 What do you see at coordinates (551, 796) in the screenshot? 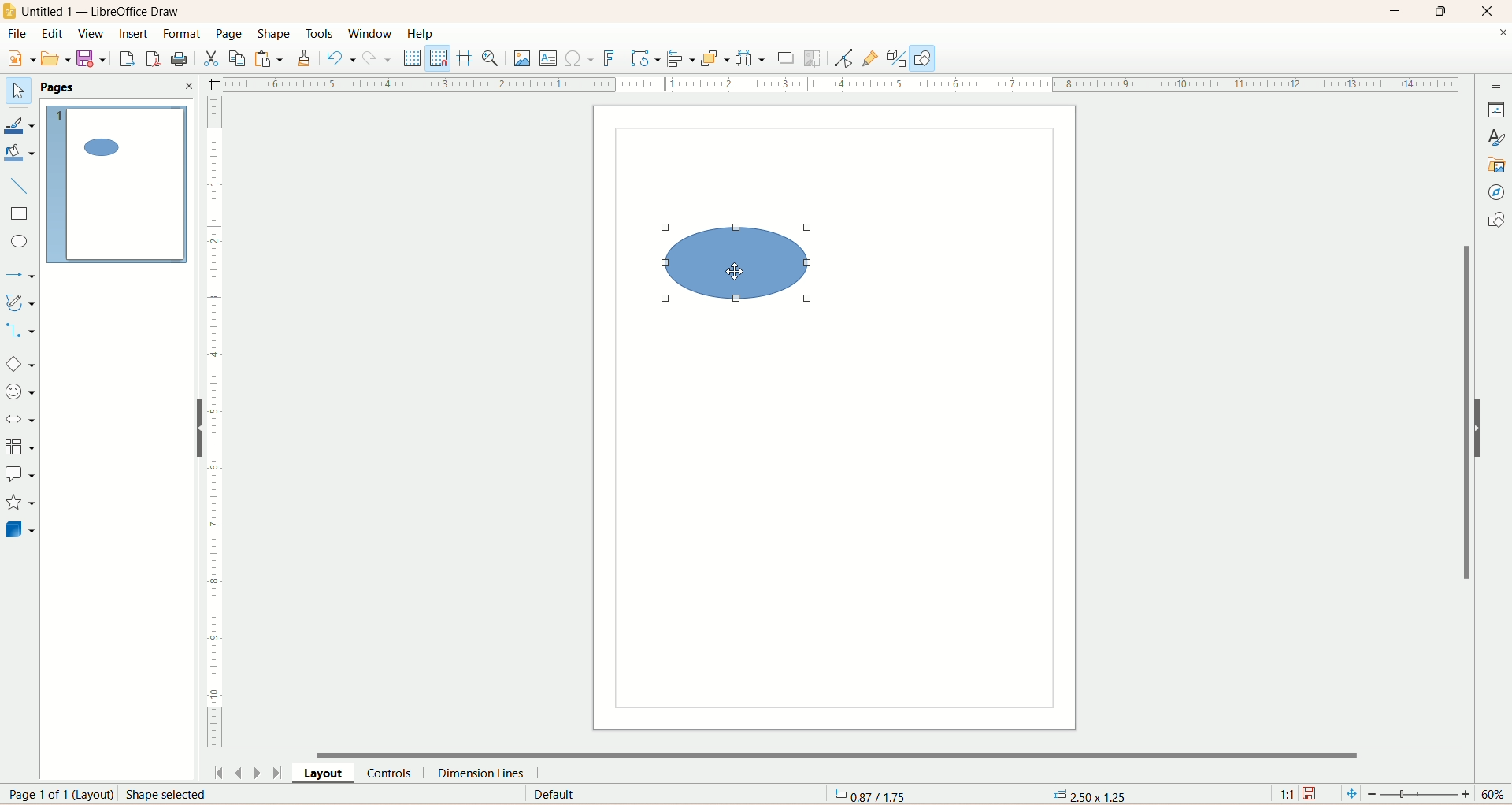
I see `default` at bounding box center [551, 796].